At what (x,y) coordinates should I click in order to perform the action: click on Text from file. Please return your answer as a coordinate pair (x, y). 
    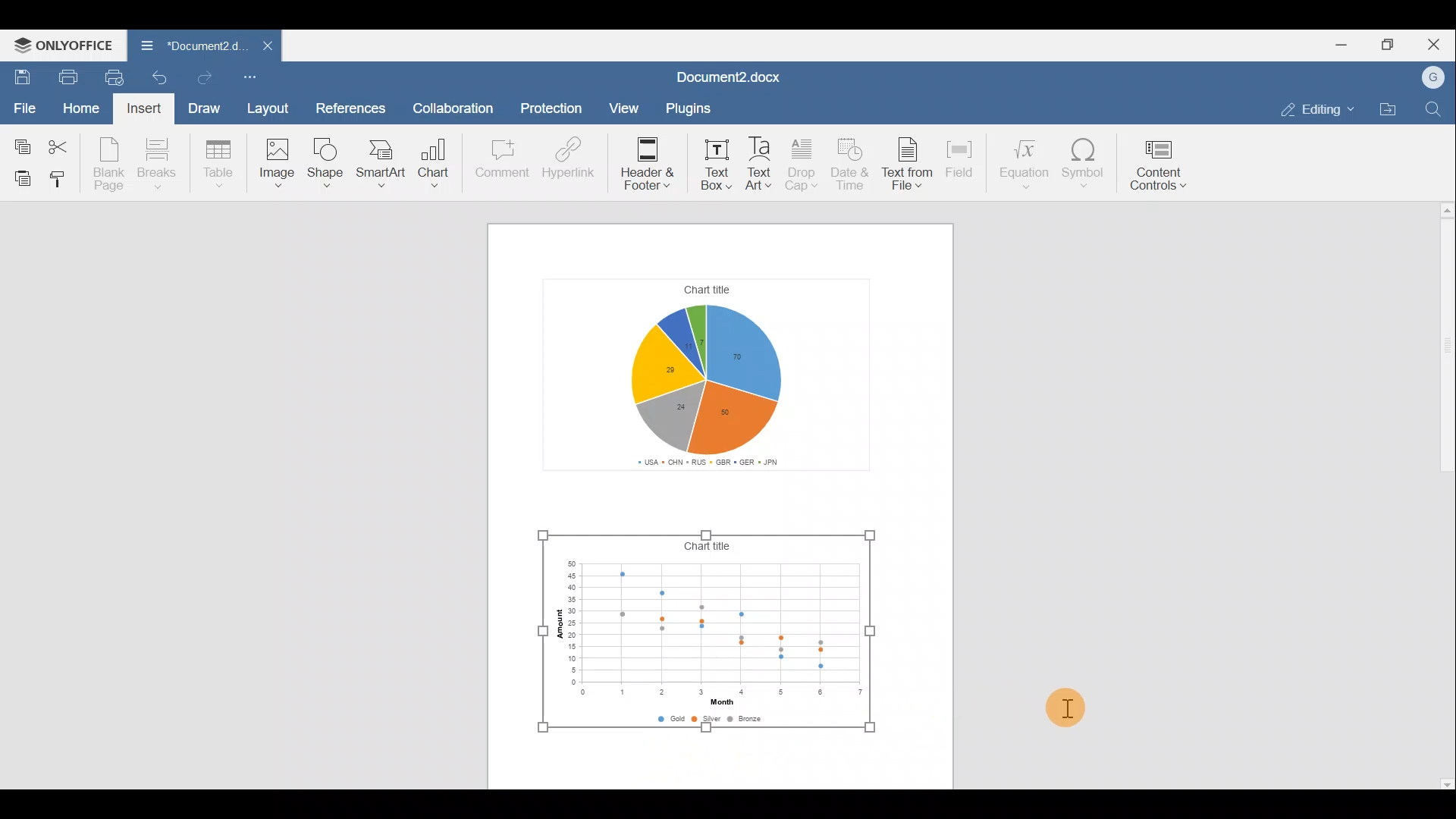
    Looking at the image, I should click on (909, 162).